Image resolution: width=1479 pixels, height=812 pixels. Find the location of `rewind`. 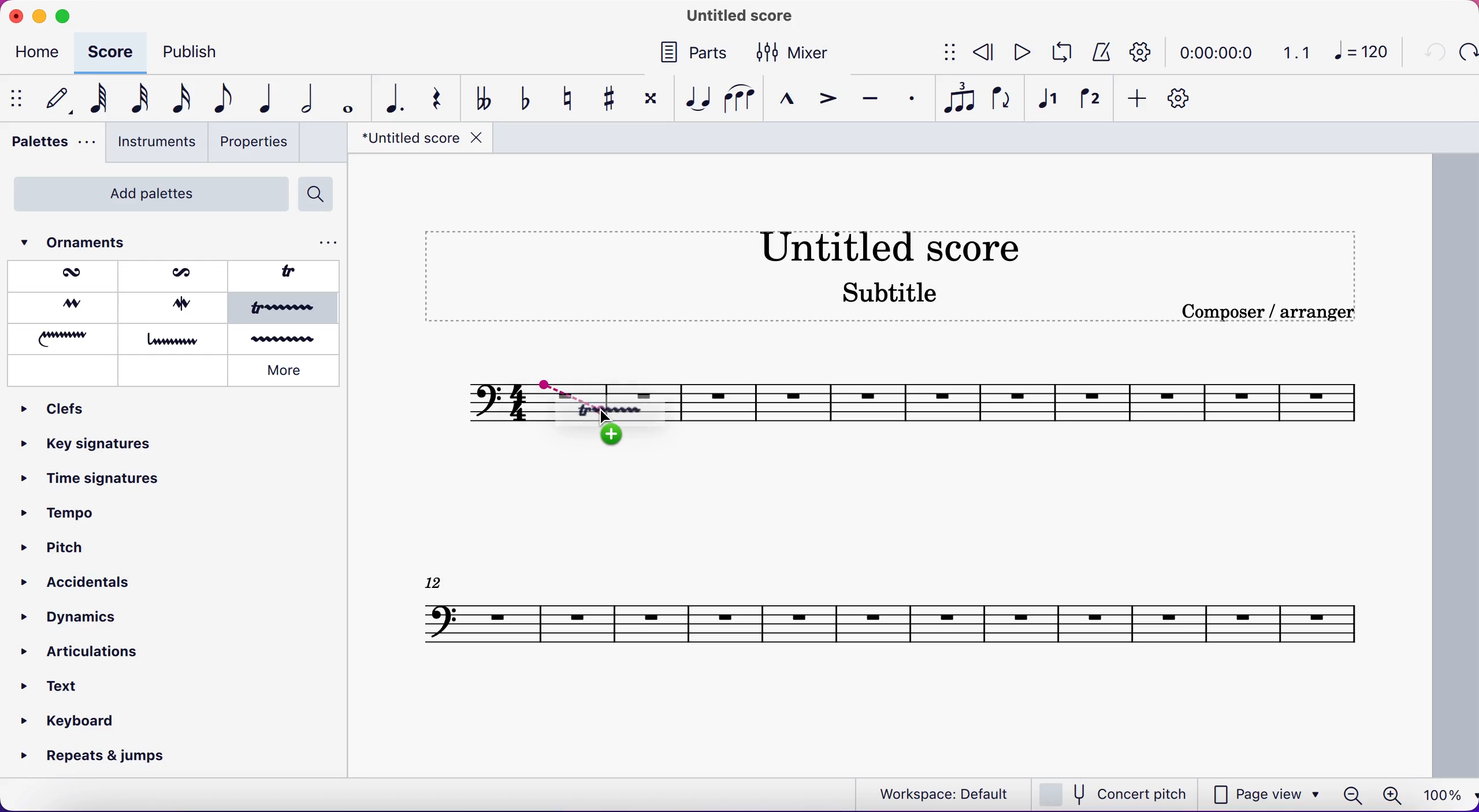

rewind is located at coordinates (984, 54).